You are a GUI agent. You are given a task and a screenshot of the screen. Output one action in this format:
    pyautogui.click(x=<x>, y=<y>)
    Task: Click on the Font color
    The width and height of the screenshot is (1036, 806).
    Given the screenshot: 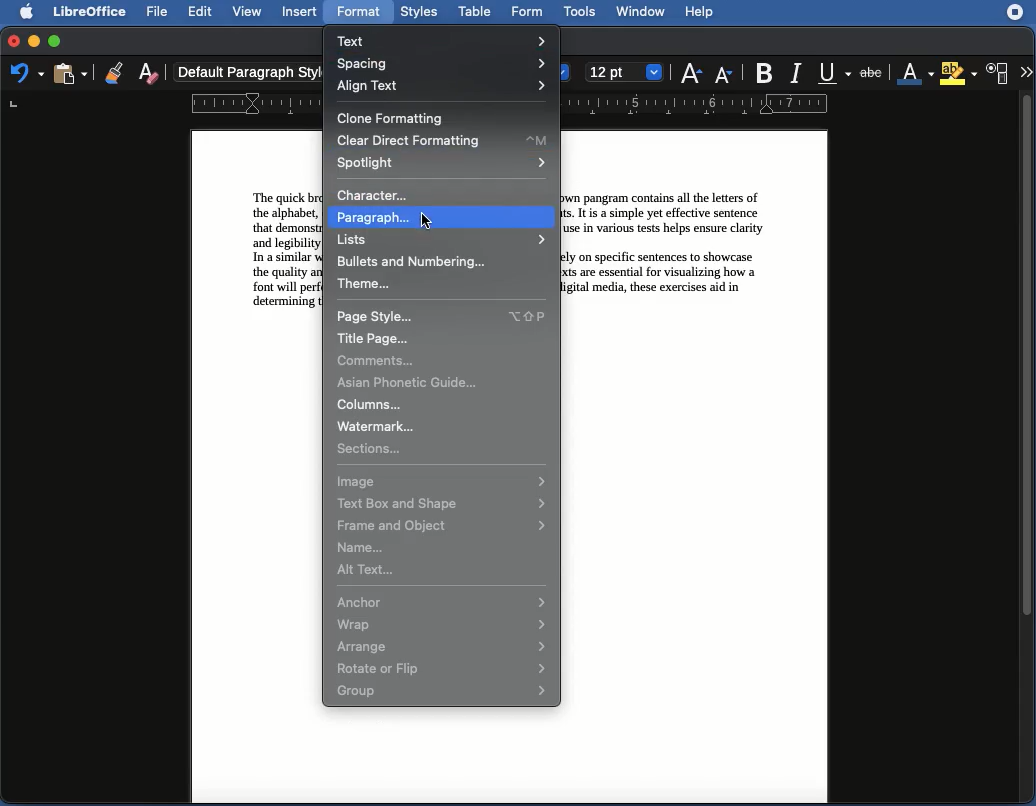 What is the action you would take?
    pyautogui.click(x=914, y=74)
    